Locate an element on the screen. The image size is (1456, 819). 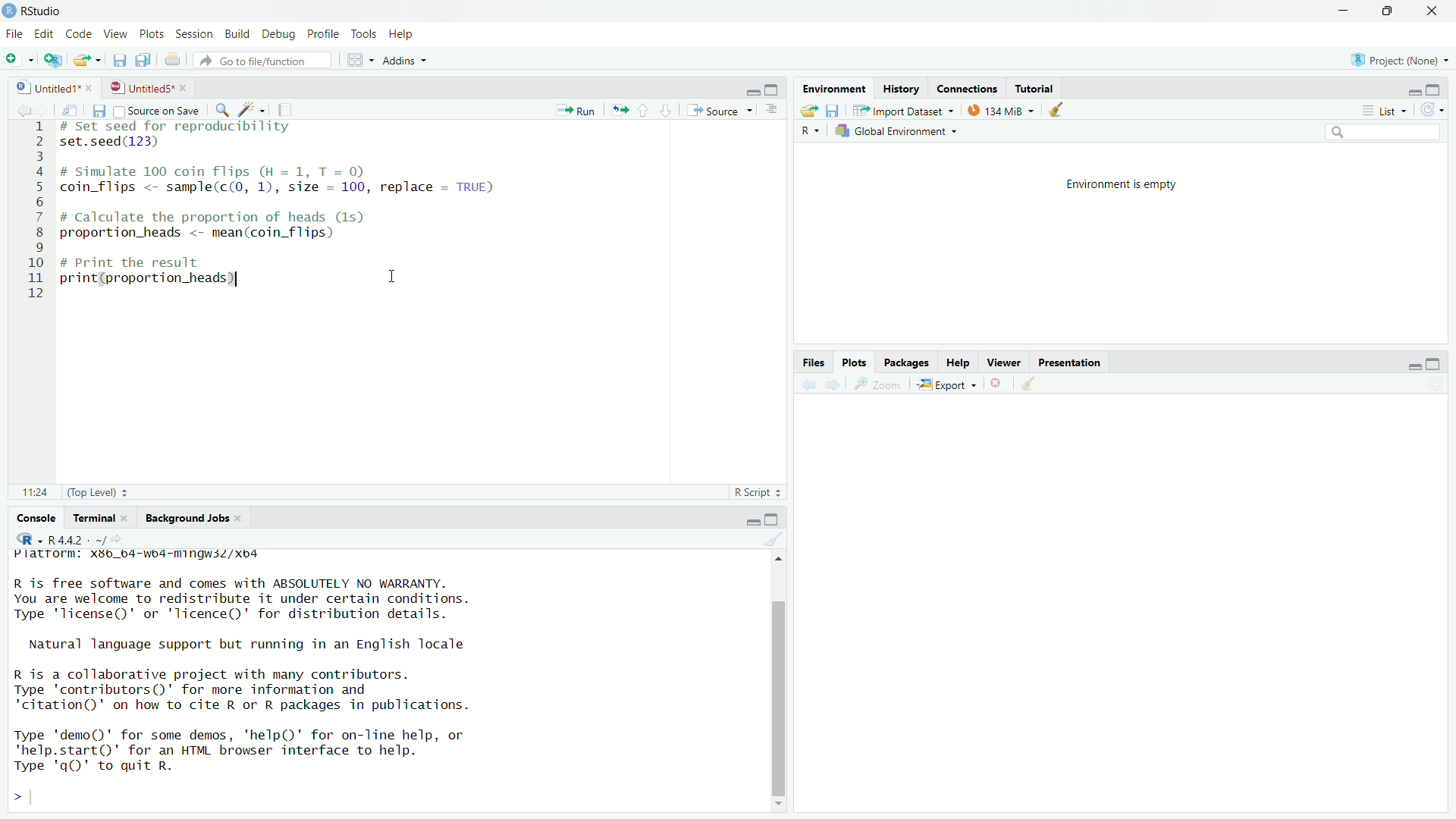
workspace panes is located at coordinates (357, 61).